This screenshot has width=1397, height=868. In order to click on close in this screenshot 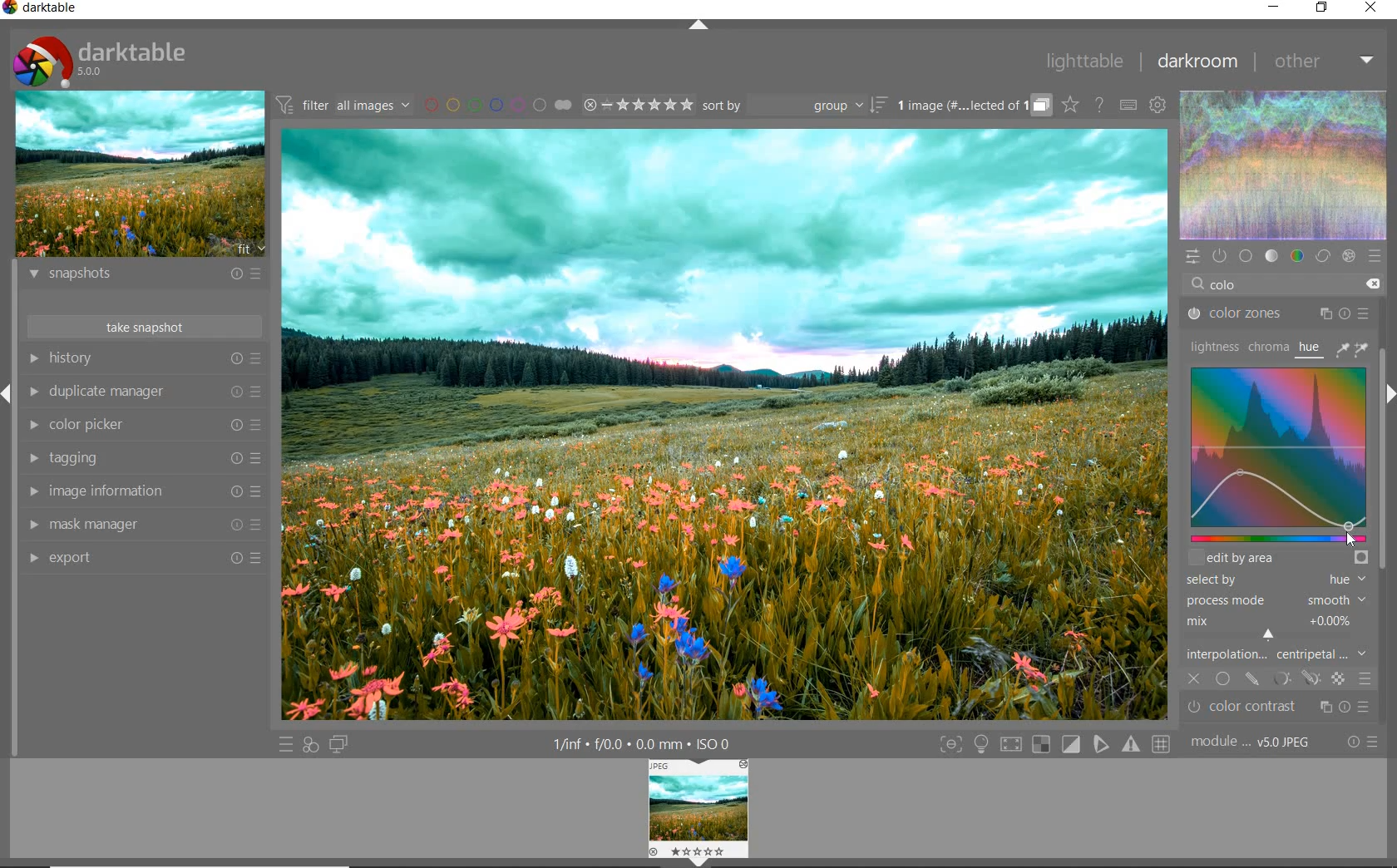, I will do `click(1372, 7)`.